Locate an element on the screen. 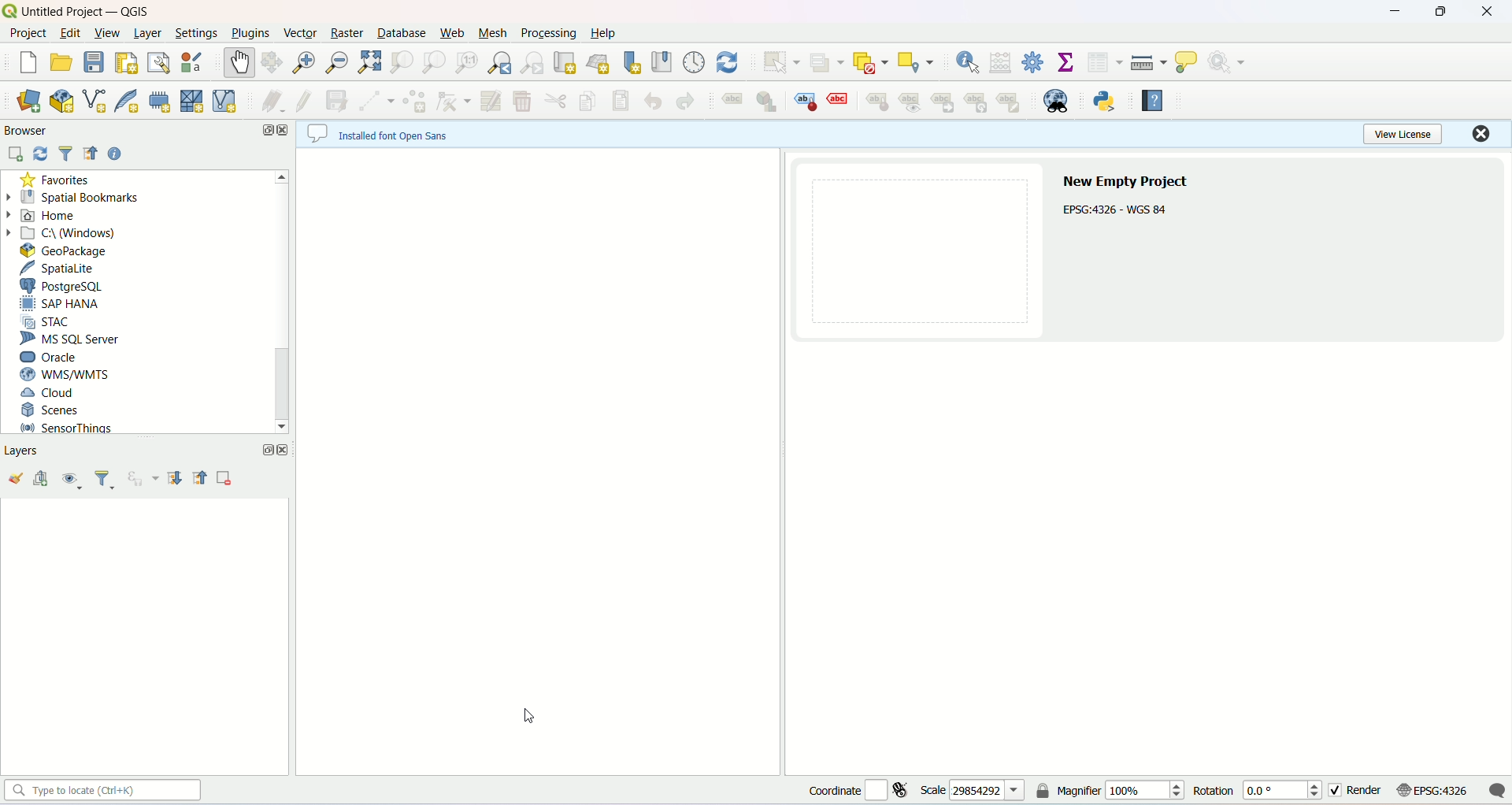  maximize is located at coordinates (266, 451).